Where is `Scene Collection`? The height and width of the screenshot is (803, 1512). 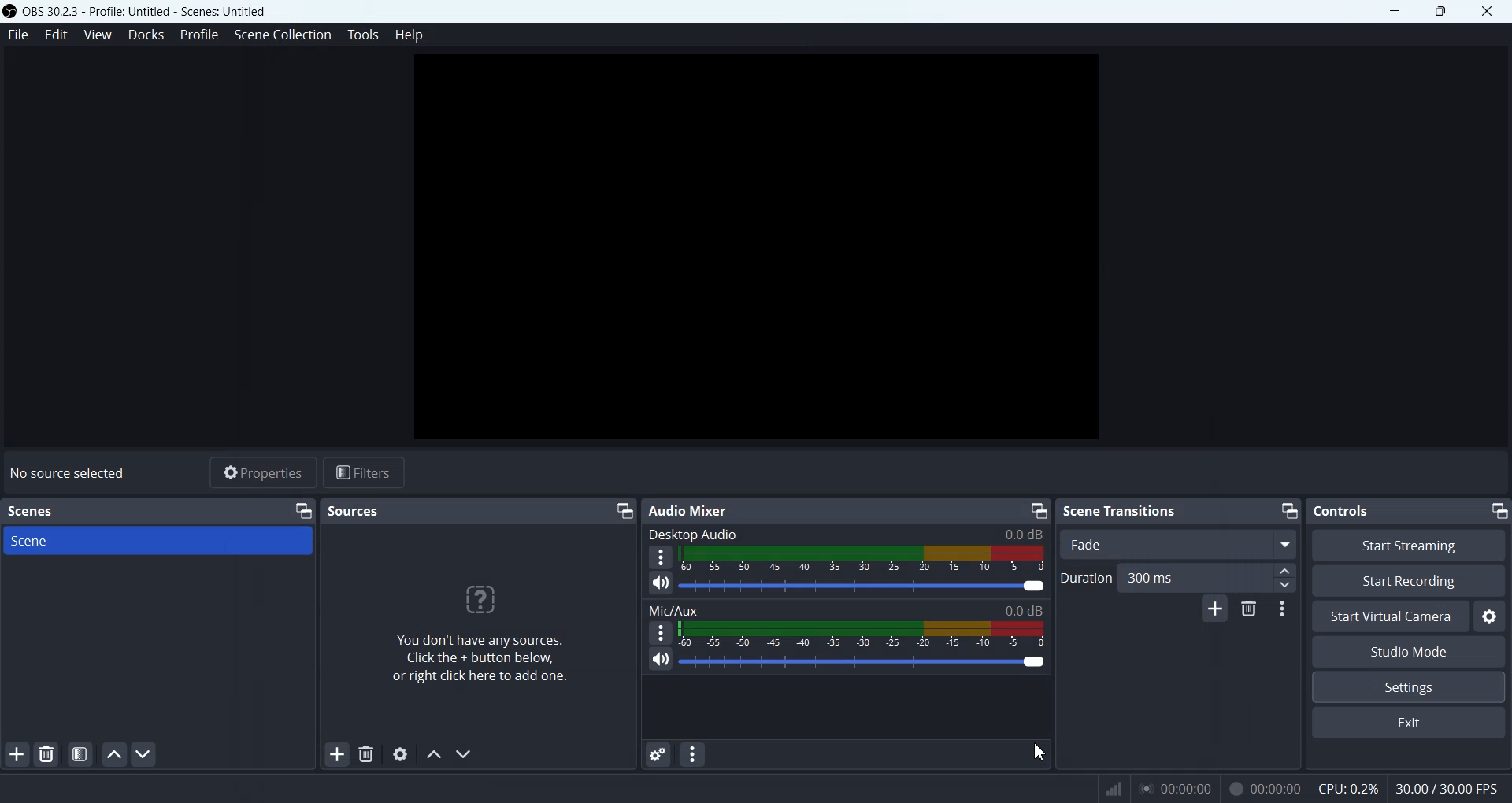
Scene Collection is located at coordinates (282, 36).